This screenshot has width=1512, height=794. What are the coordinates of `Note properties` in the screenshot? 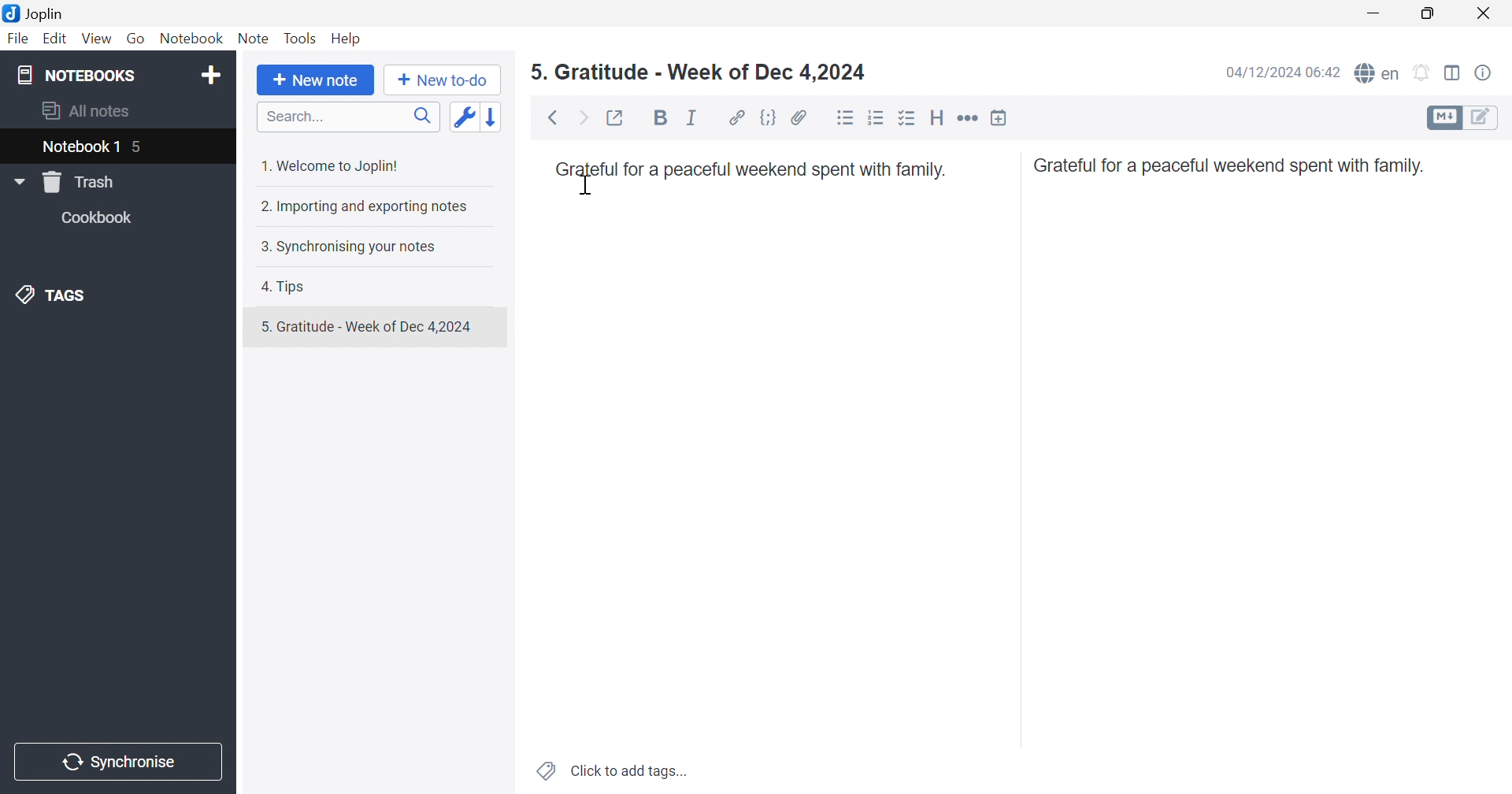 It's located at (1485, 74).